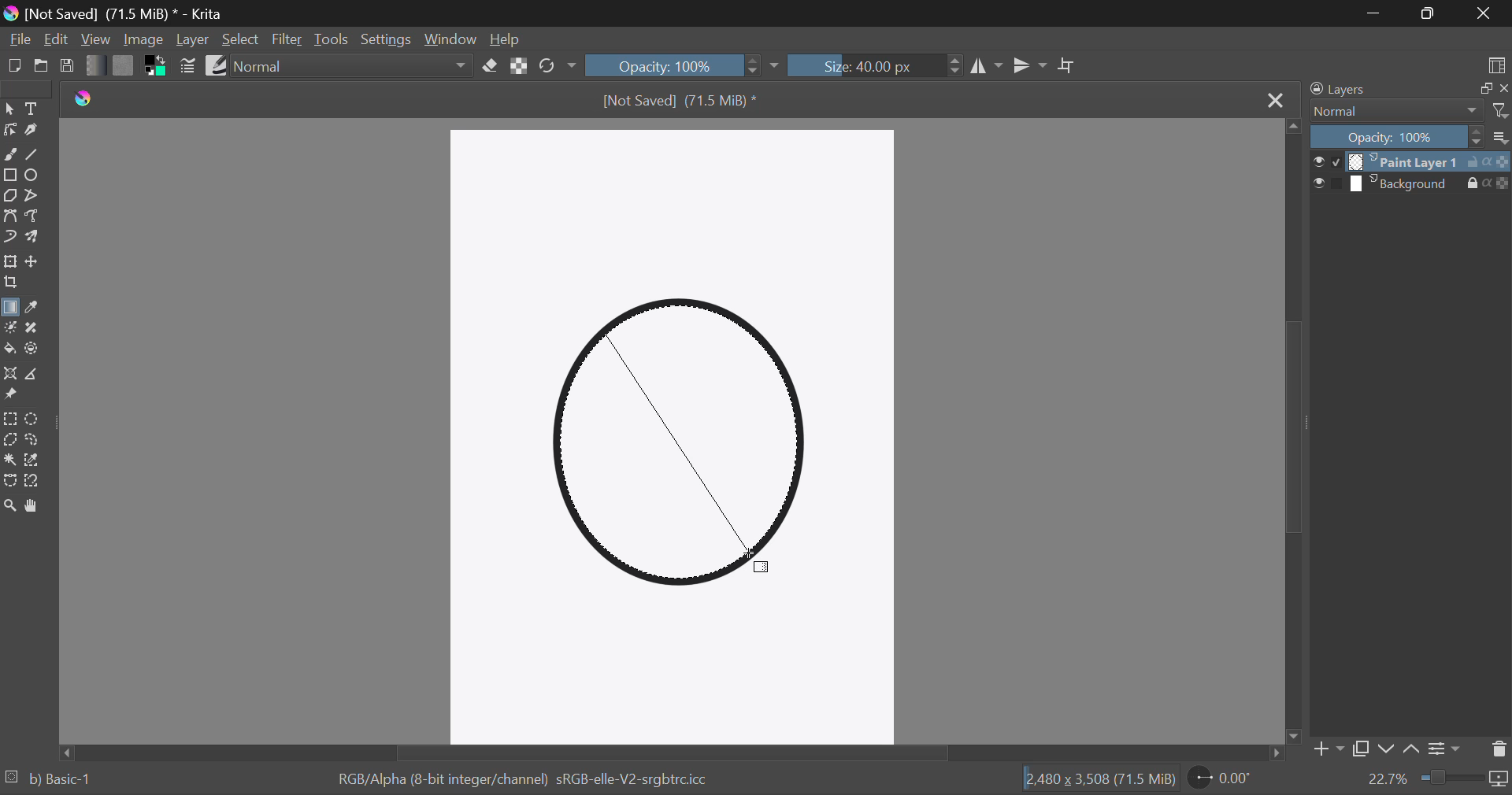  I want to click on Add Layer, so click(1328, 750).